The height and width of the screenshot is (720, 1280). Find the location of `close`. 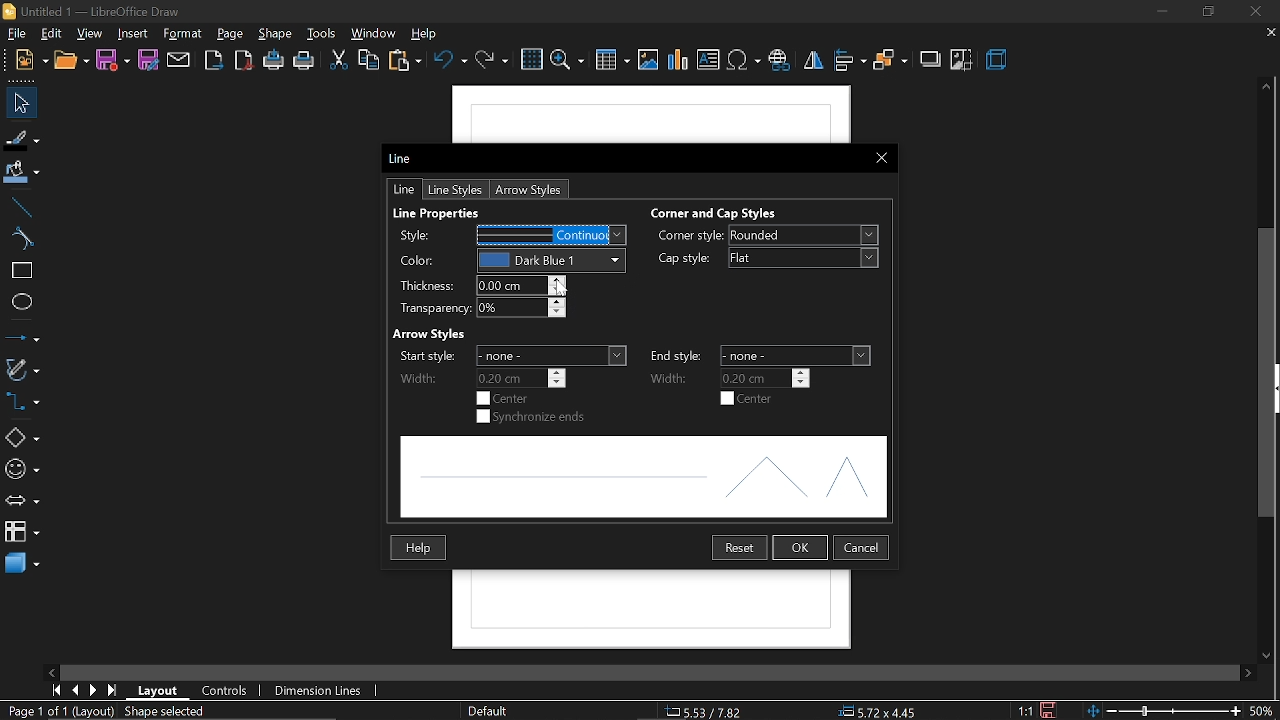

close is located at coordinates (880, 157).